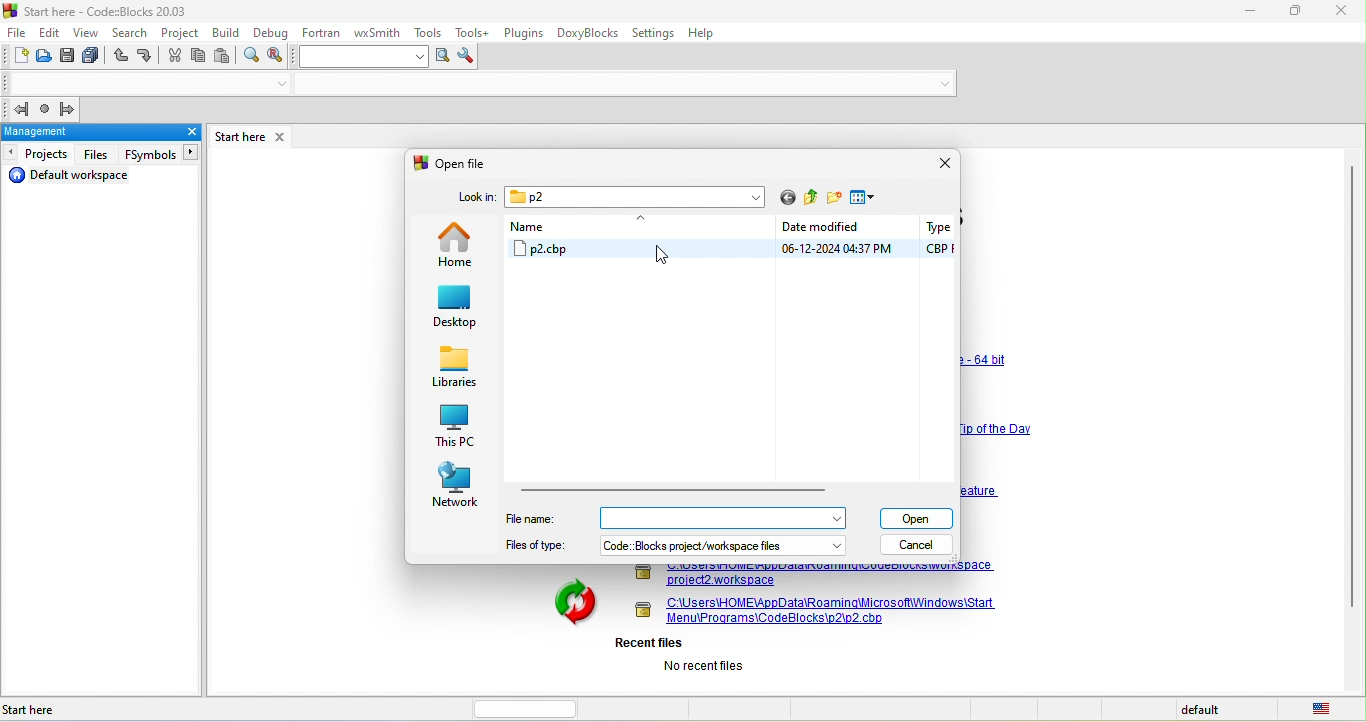 The height and width of the screenshot is (722, 1366). Describe the element at coordinates (946, 163) in the screenshot. I see `close` at that location.